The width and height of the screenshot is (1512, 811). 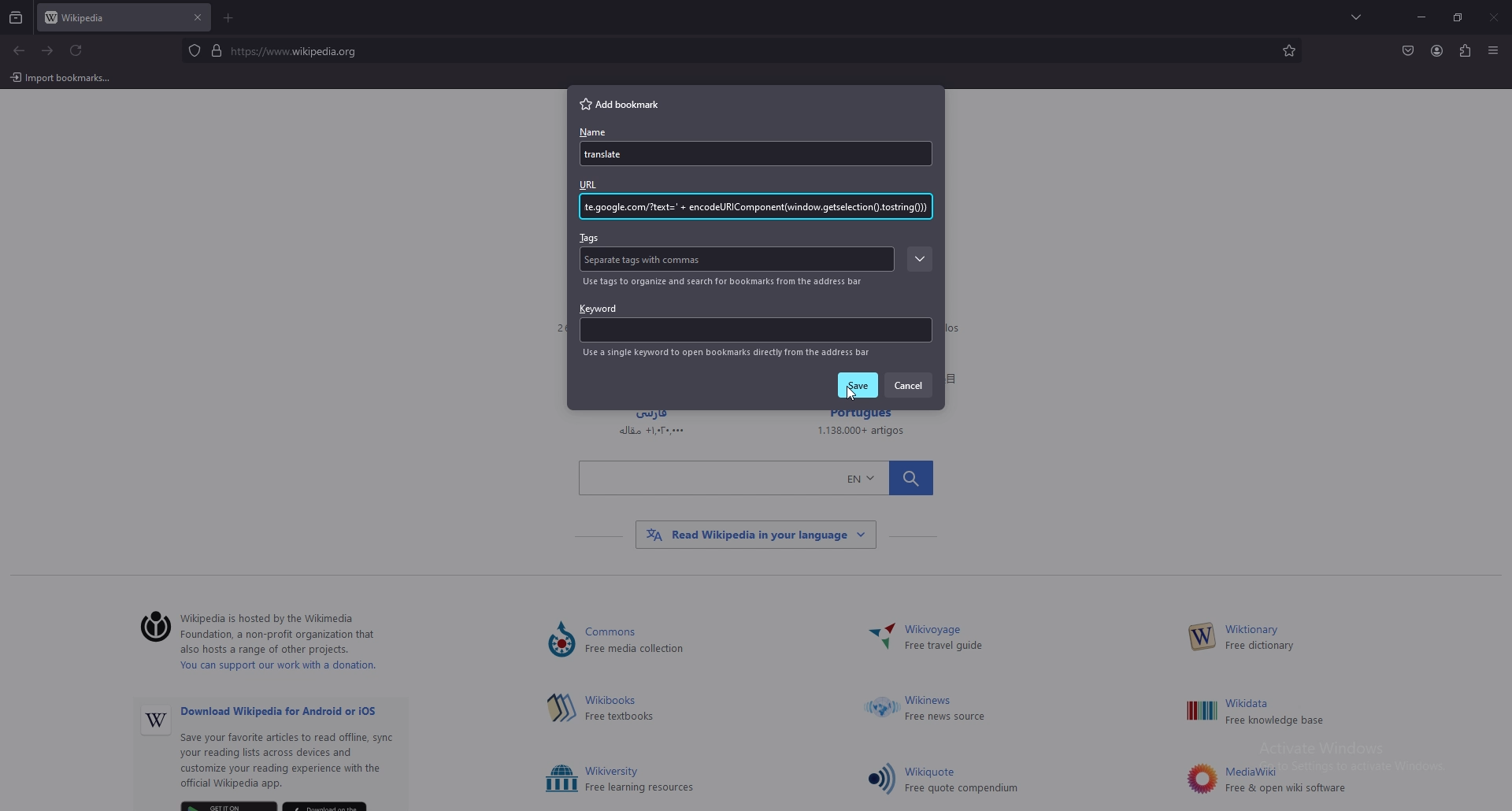 What do you see at coordinates (850, 392) in the screenshot?
I see `cursor` at bounding box center [850, 392].